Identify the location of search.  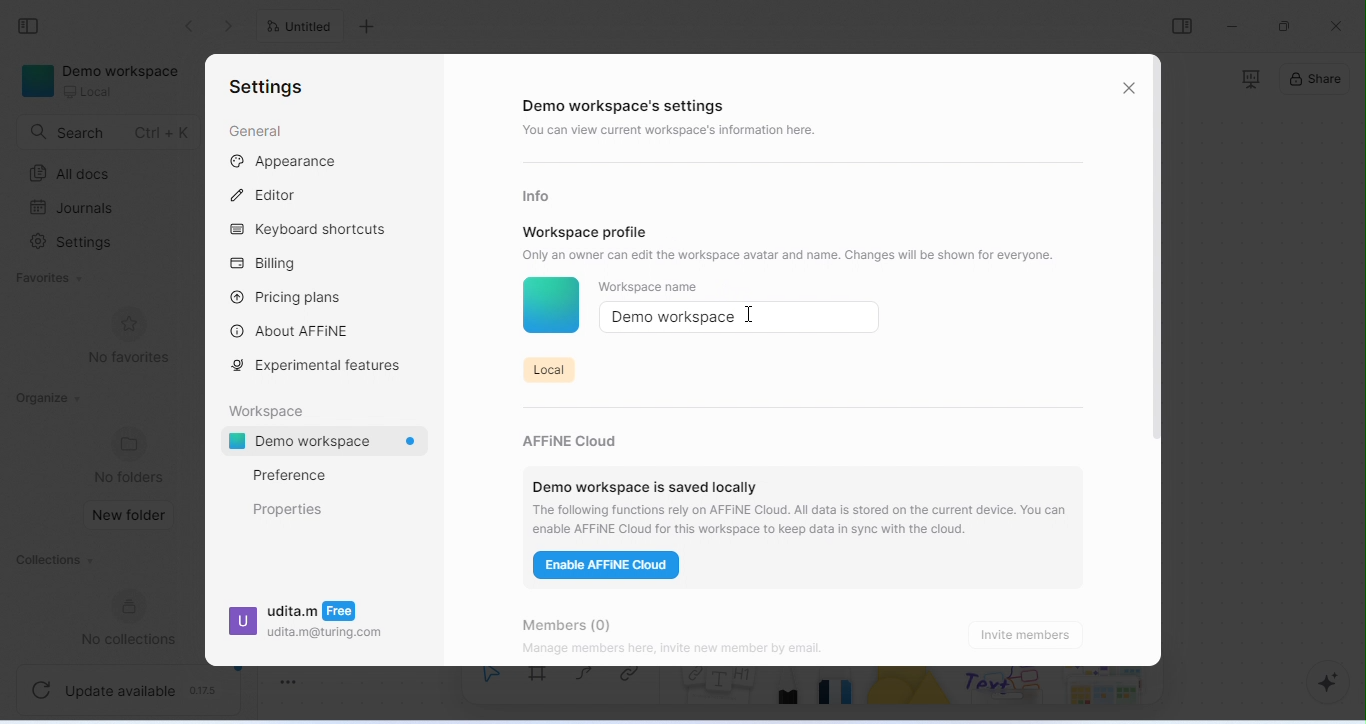
(109, 132).